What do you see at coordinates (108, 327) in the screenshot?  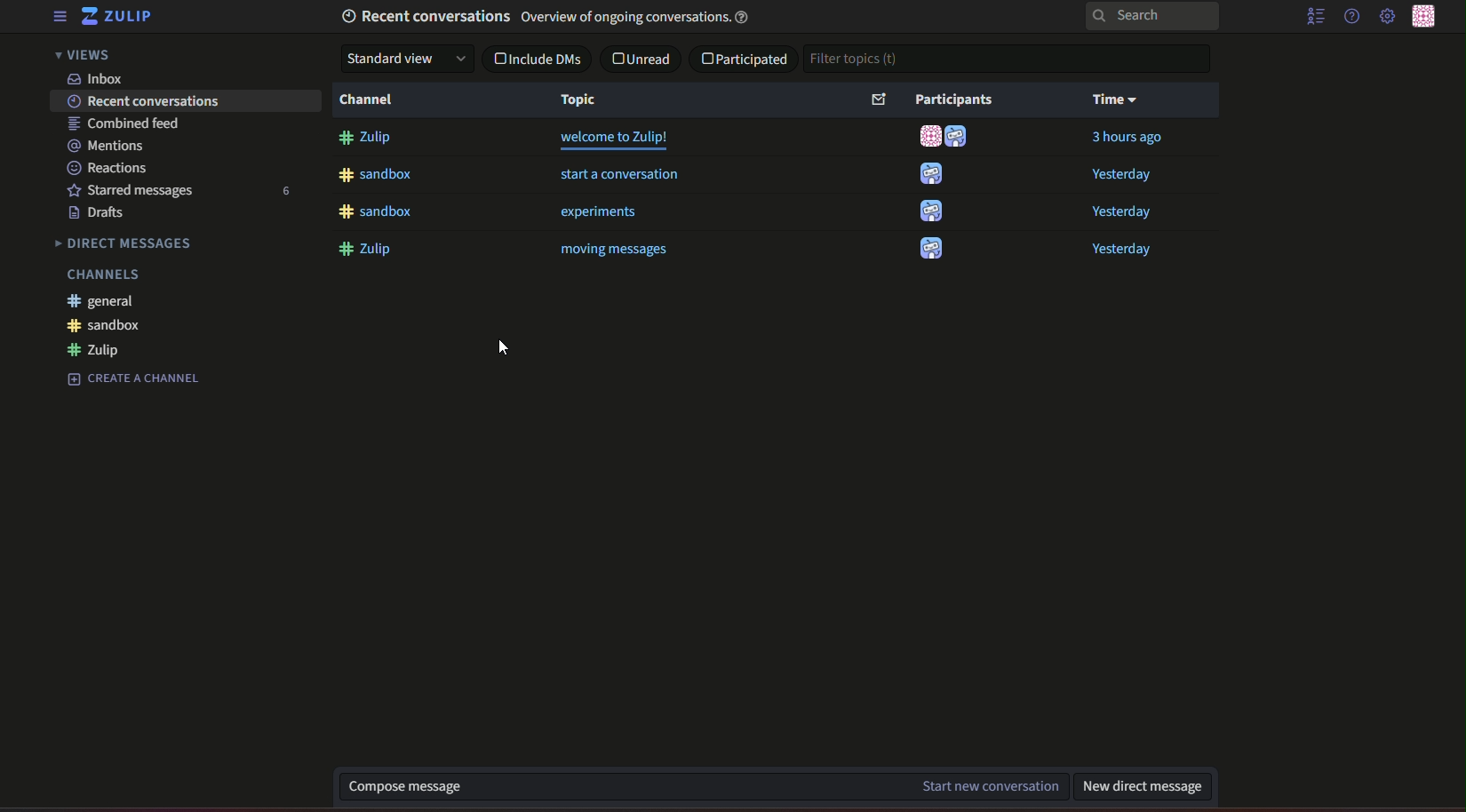 I see `sandbox` at bounding box center [108, 327].